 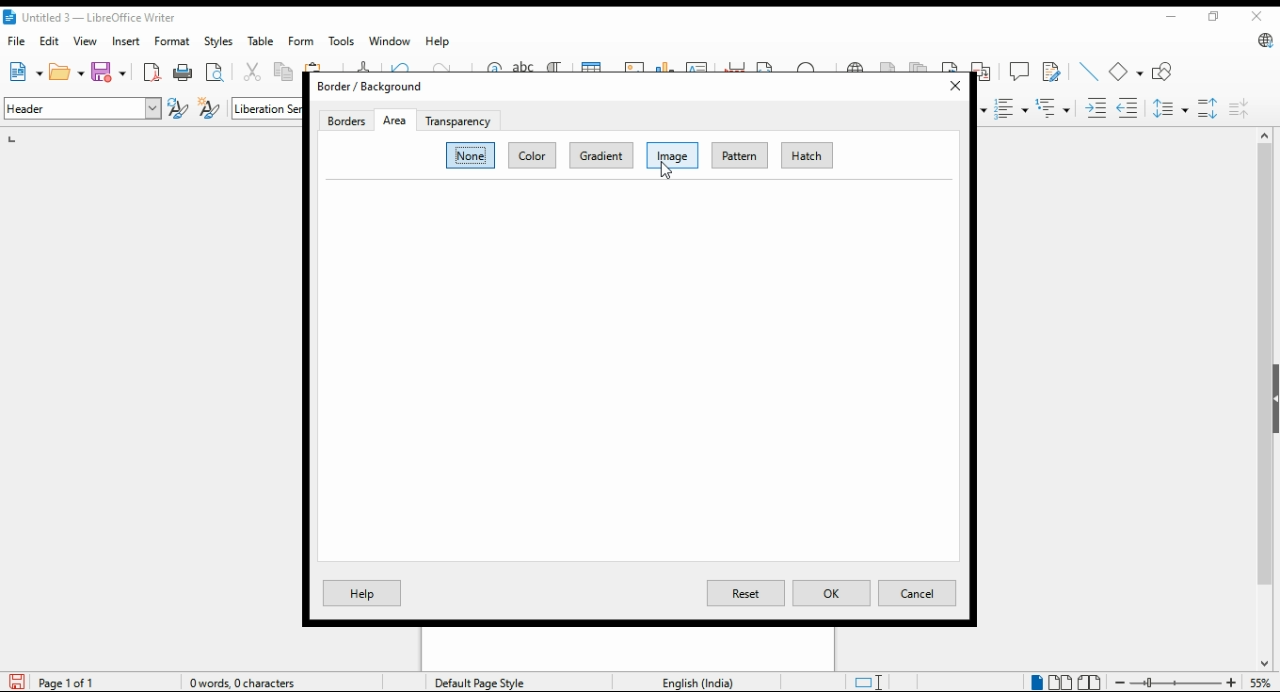 What do you see at coordinates (1169, 15) in the screenshot?
I see `minimize` at bounding box center [1169, 15].